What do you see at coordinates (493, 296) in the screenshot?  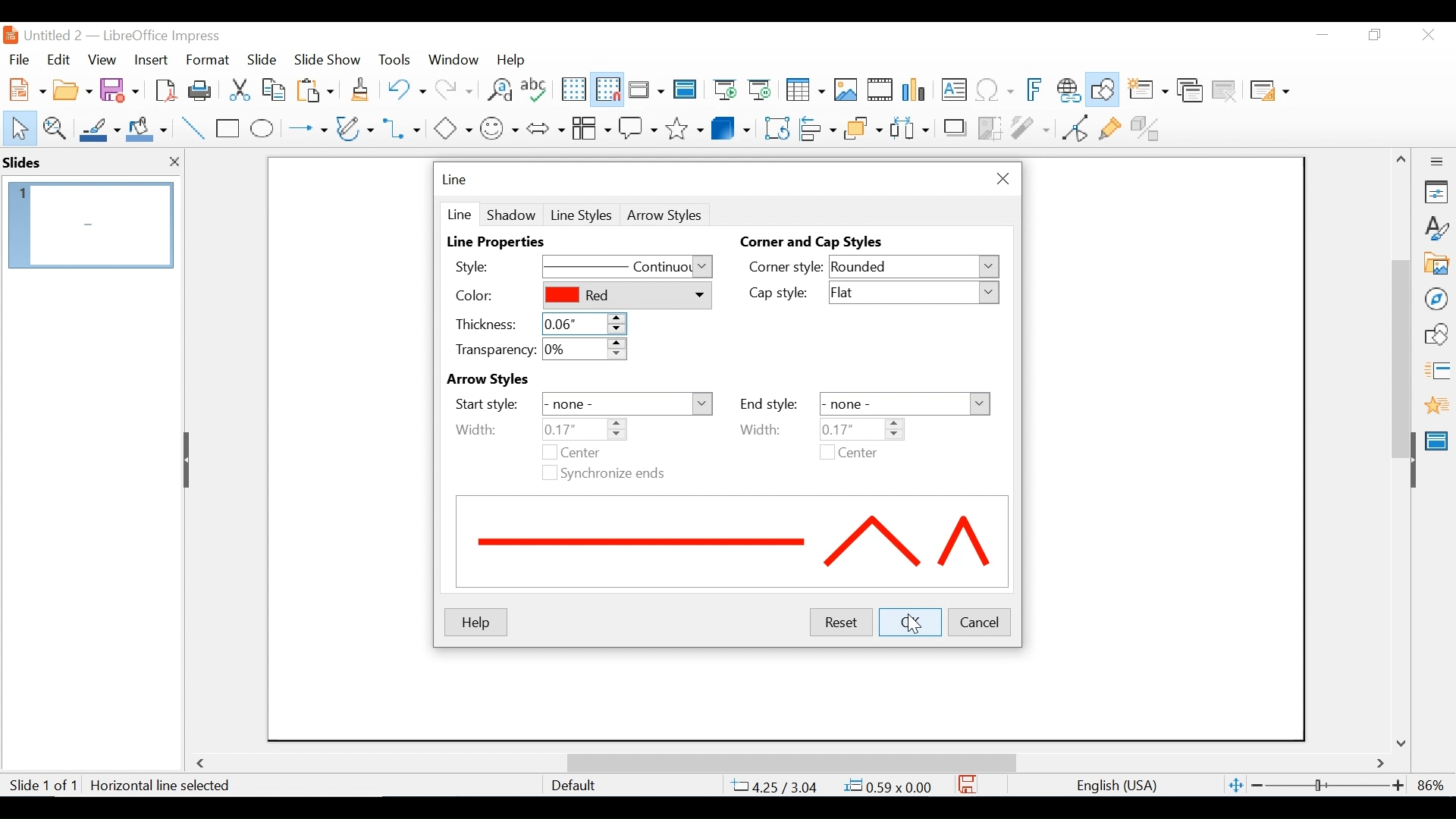 I see `Color` at bounding box center [493, 296].